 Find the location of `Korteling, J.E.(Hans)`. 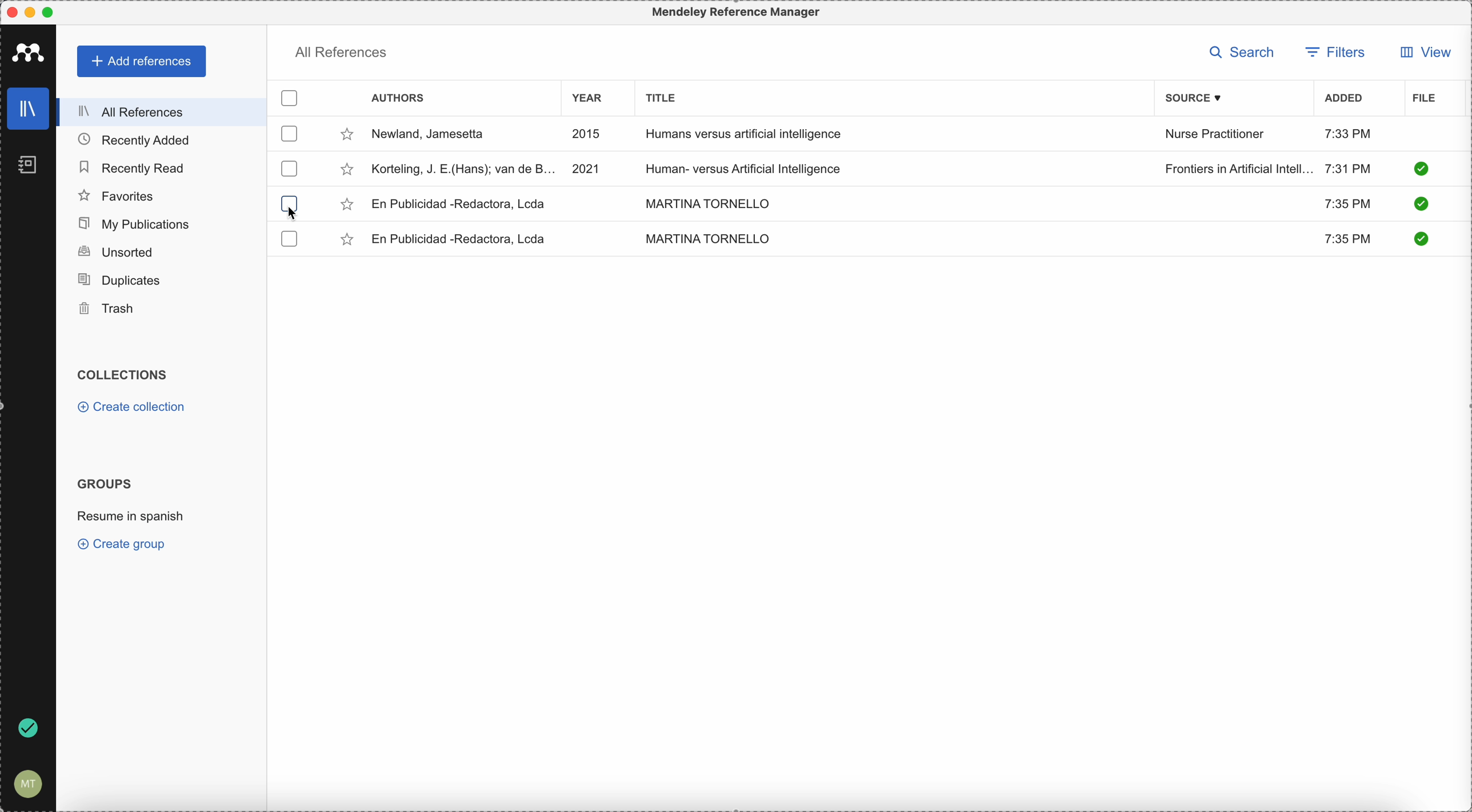

Korteling, J.E.(Hans) is located at coordinates (464, 169).